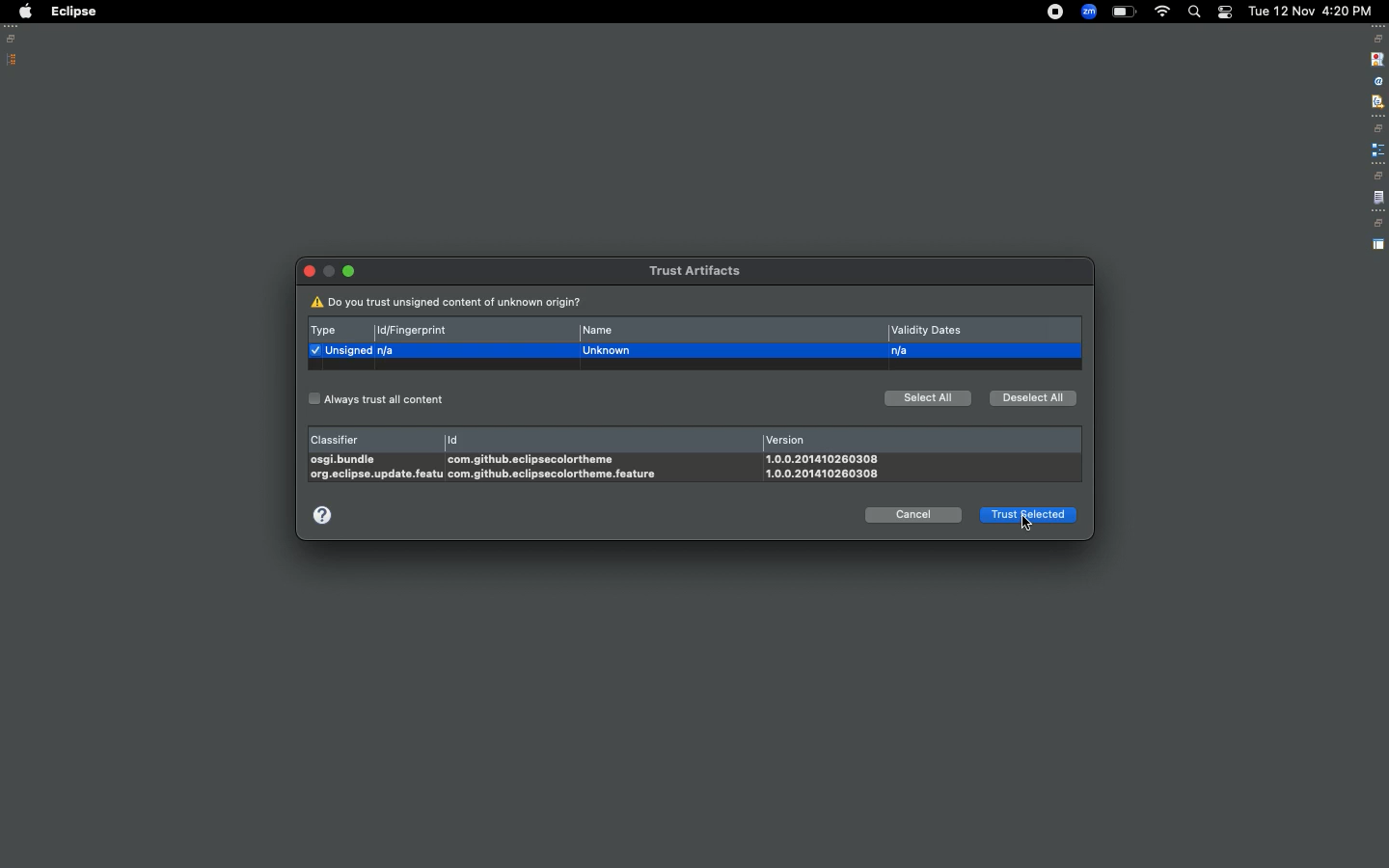 The width and height of the screenshot is (1389, 868). Describe the element at coordinates (931, 331) in the screenshot. I see `Validity dates` at that location.